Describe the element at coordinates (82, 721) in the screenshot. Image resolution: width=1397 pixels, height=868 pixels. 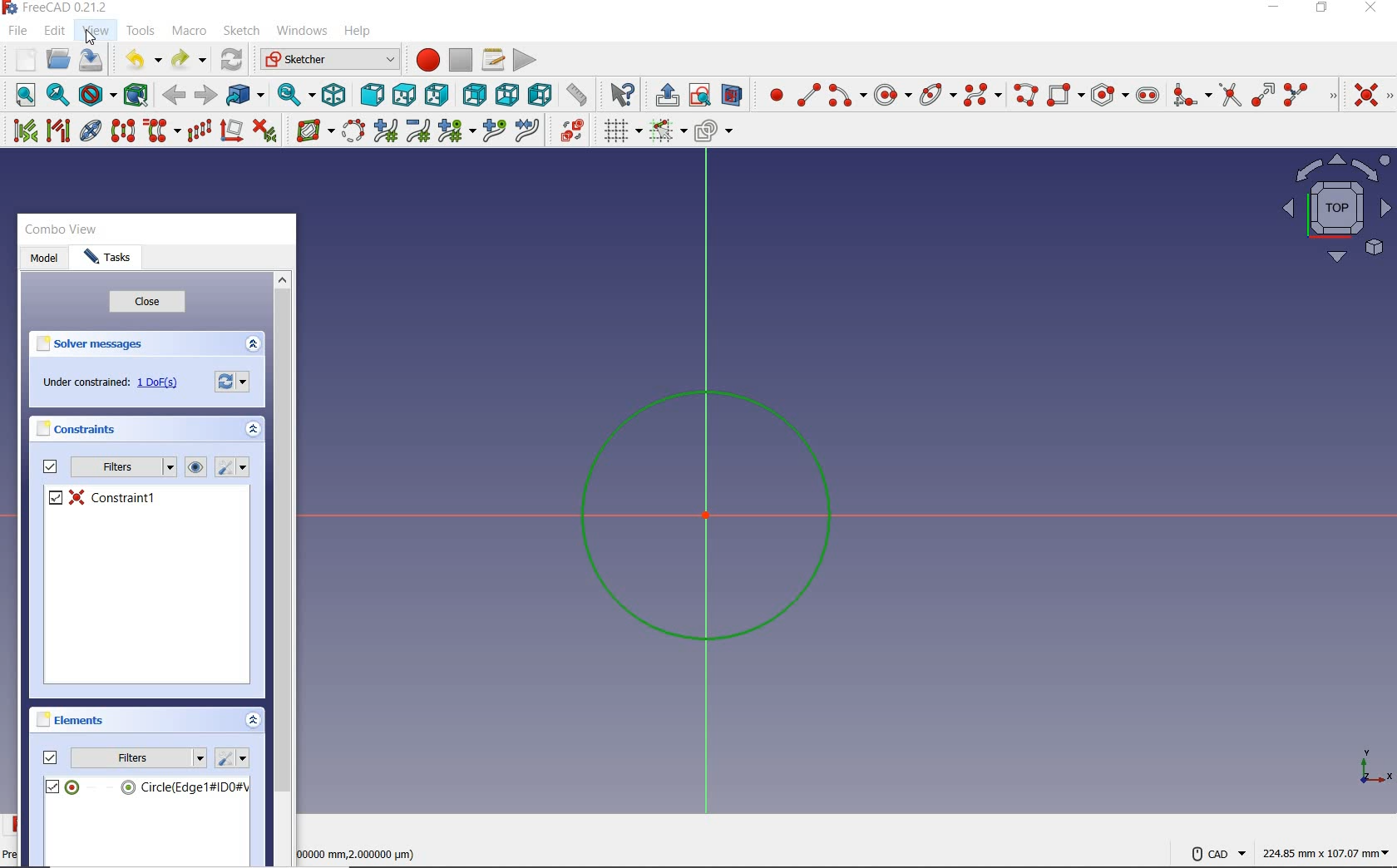
I see `elements` at that location.